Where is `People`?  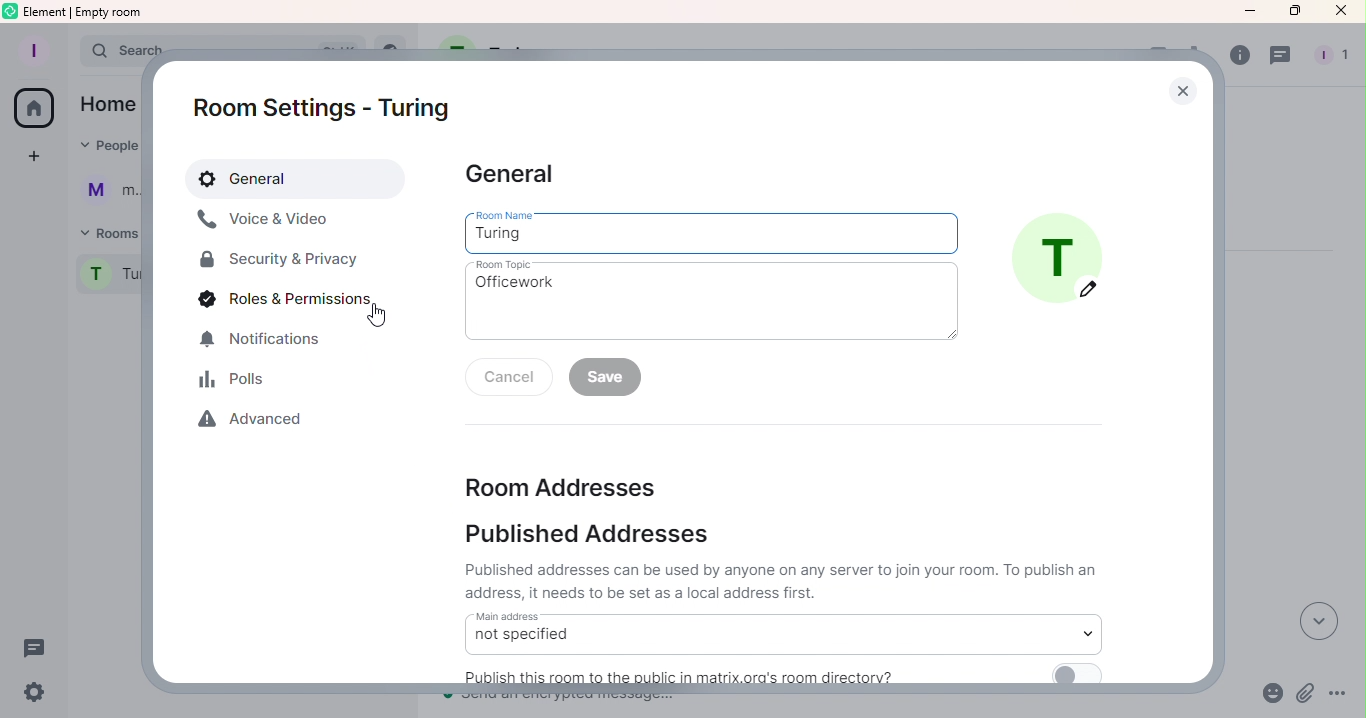 People is located at coordinates (110, 147).